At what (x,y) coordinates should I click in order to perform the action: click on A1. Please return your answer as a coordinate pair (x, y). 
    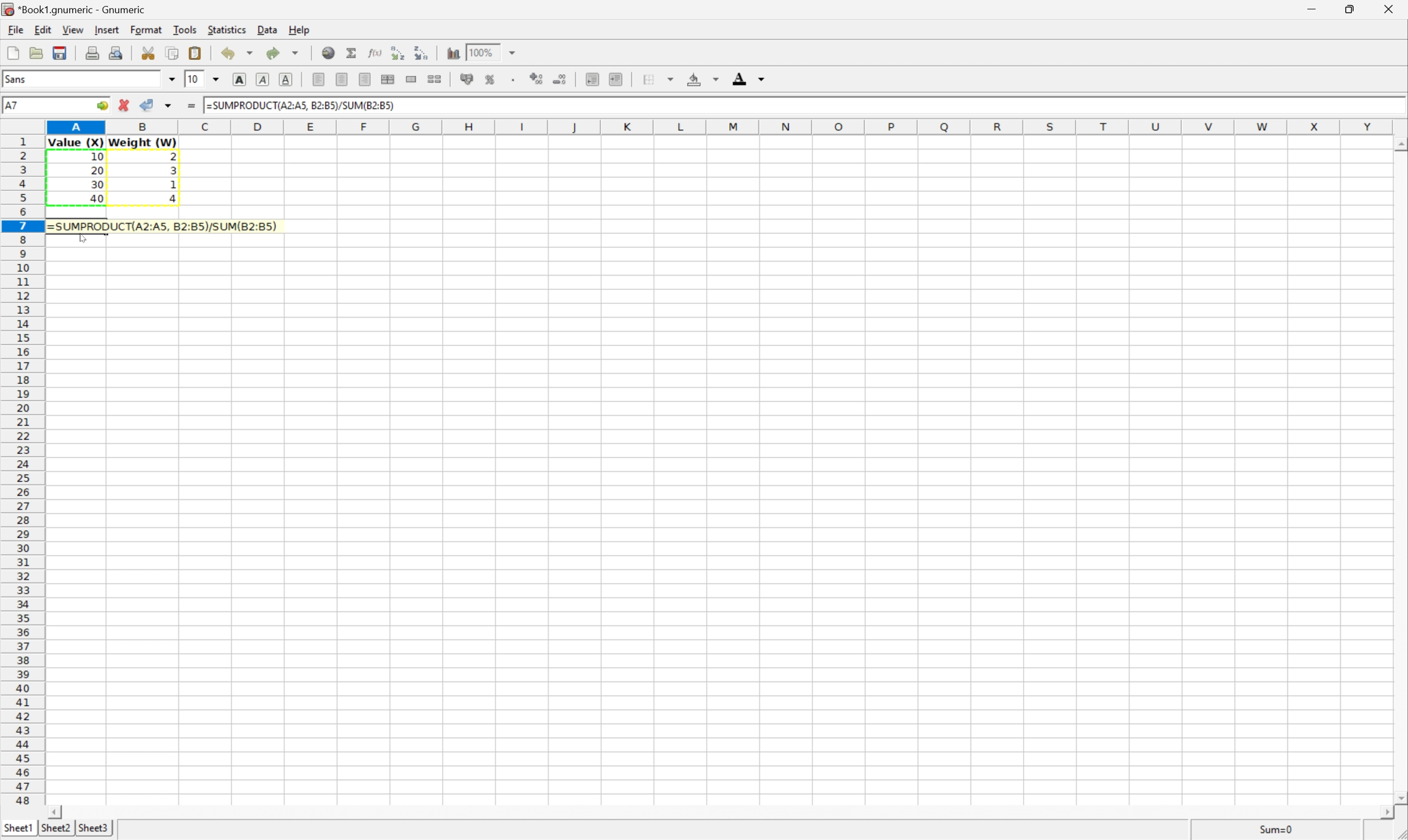
    Looking at the image, I should click on (14, 103).